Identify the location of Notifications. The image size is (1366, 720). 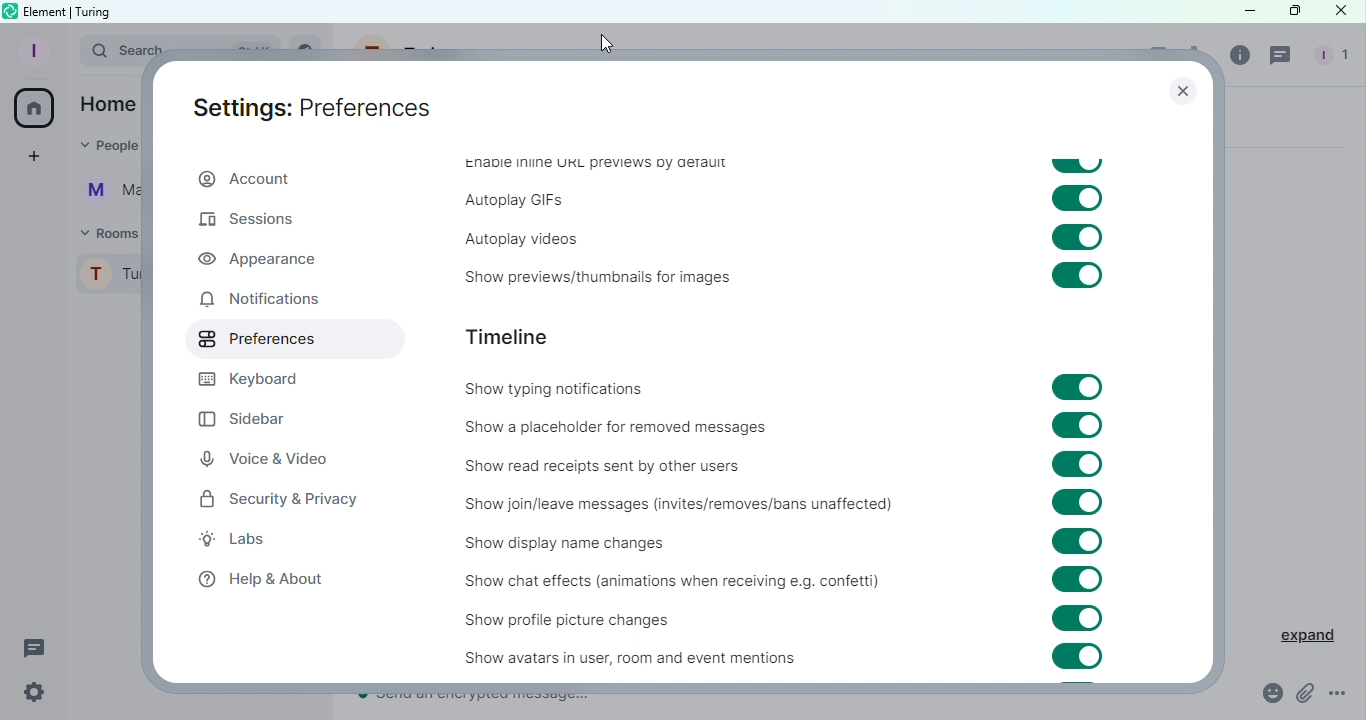
(259, 302).